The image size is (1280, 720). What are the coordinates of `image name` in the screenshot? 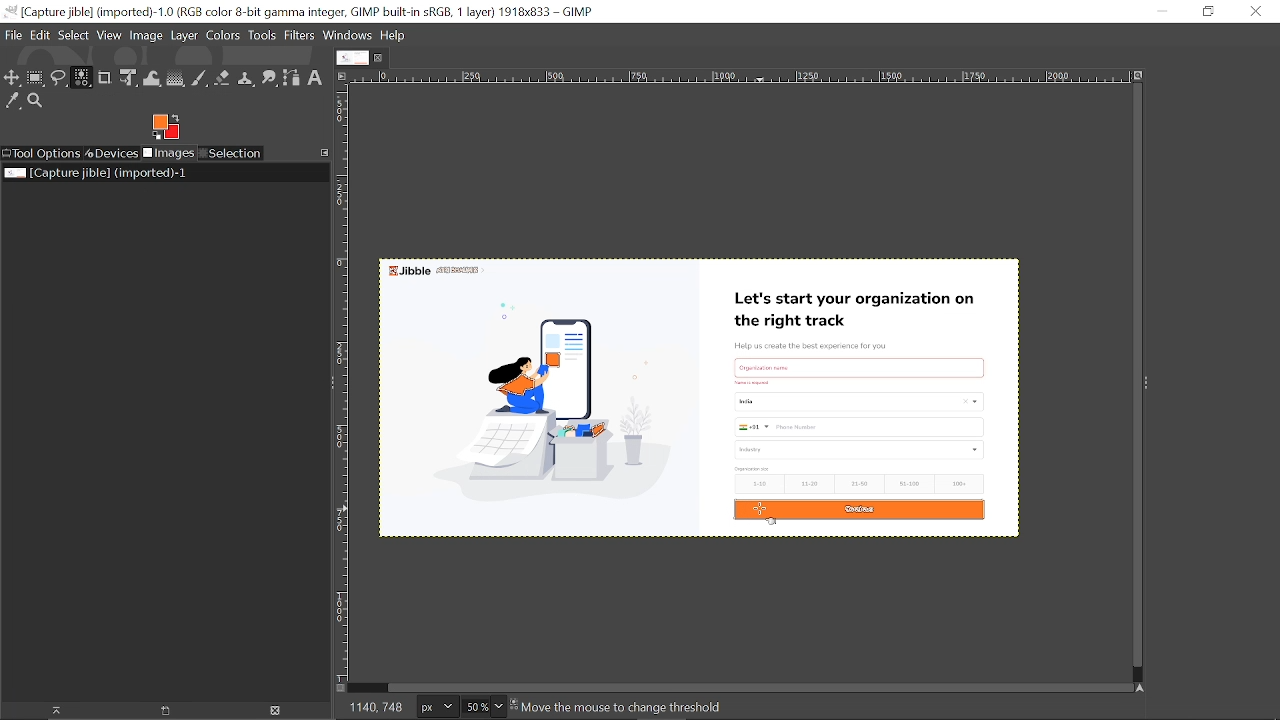 It's located at (628, 708).